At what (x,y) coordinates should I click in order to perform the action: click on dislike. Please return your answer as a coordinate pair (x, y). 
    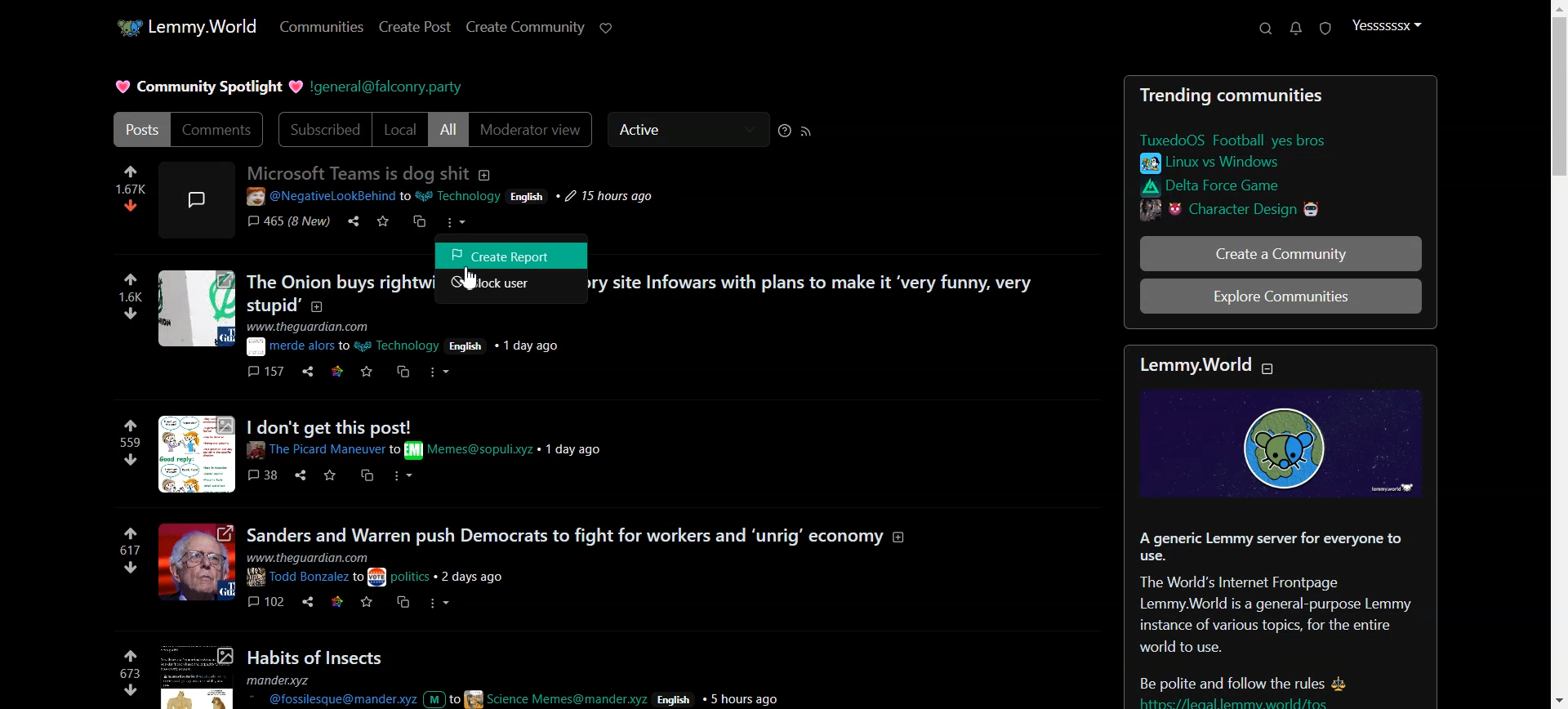
    Looking at the image, I should click on (131, 569).